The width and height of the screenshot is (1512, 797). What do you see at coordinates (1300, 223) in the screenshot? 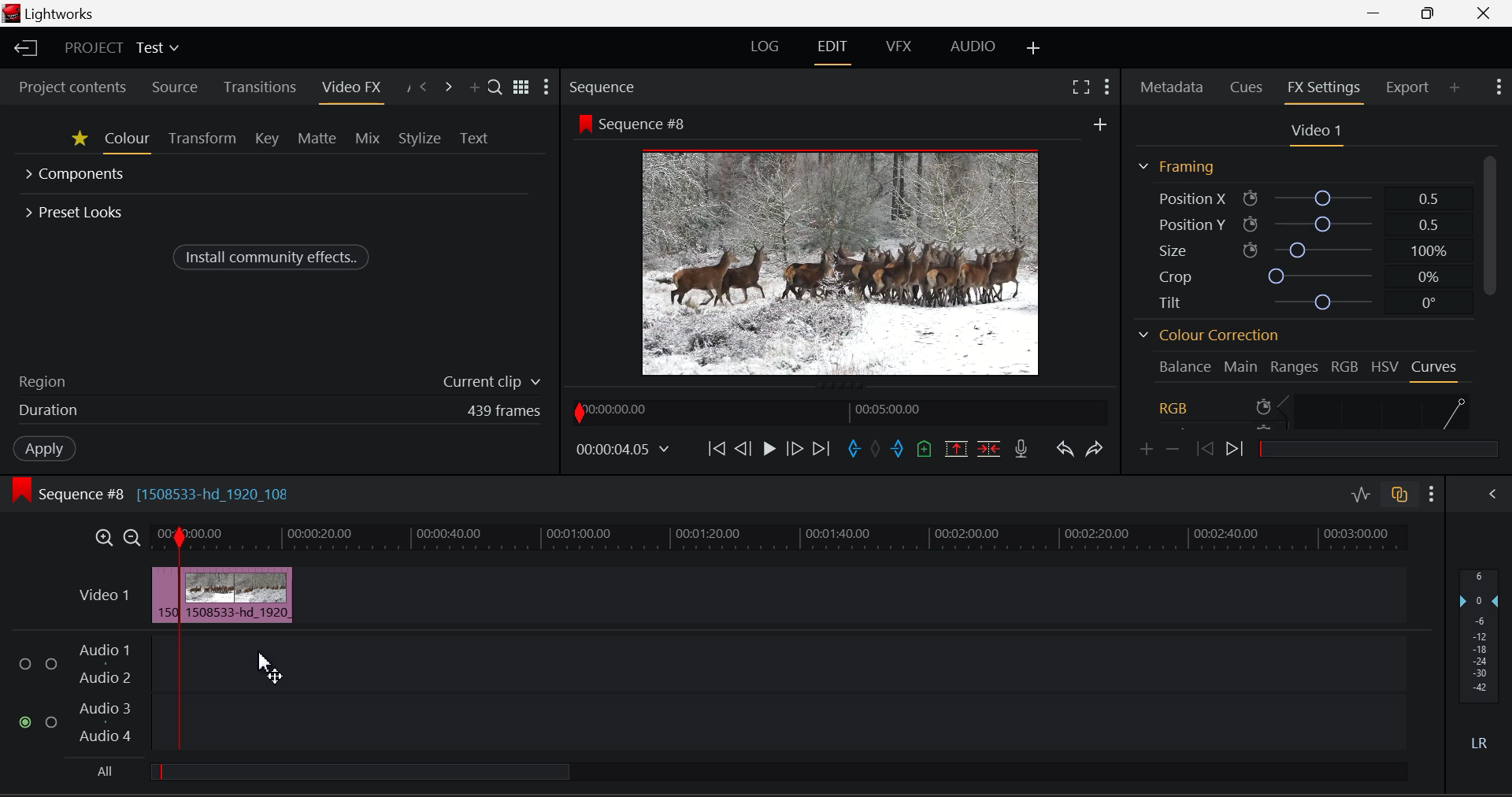
I see `Position Y` at bounding box center [1300, 223].